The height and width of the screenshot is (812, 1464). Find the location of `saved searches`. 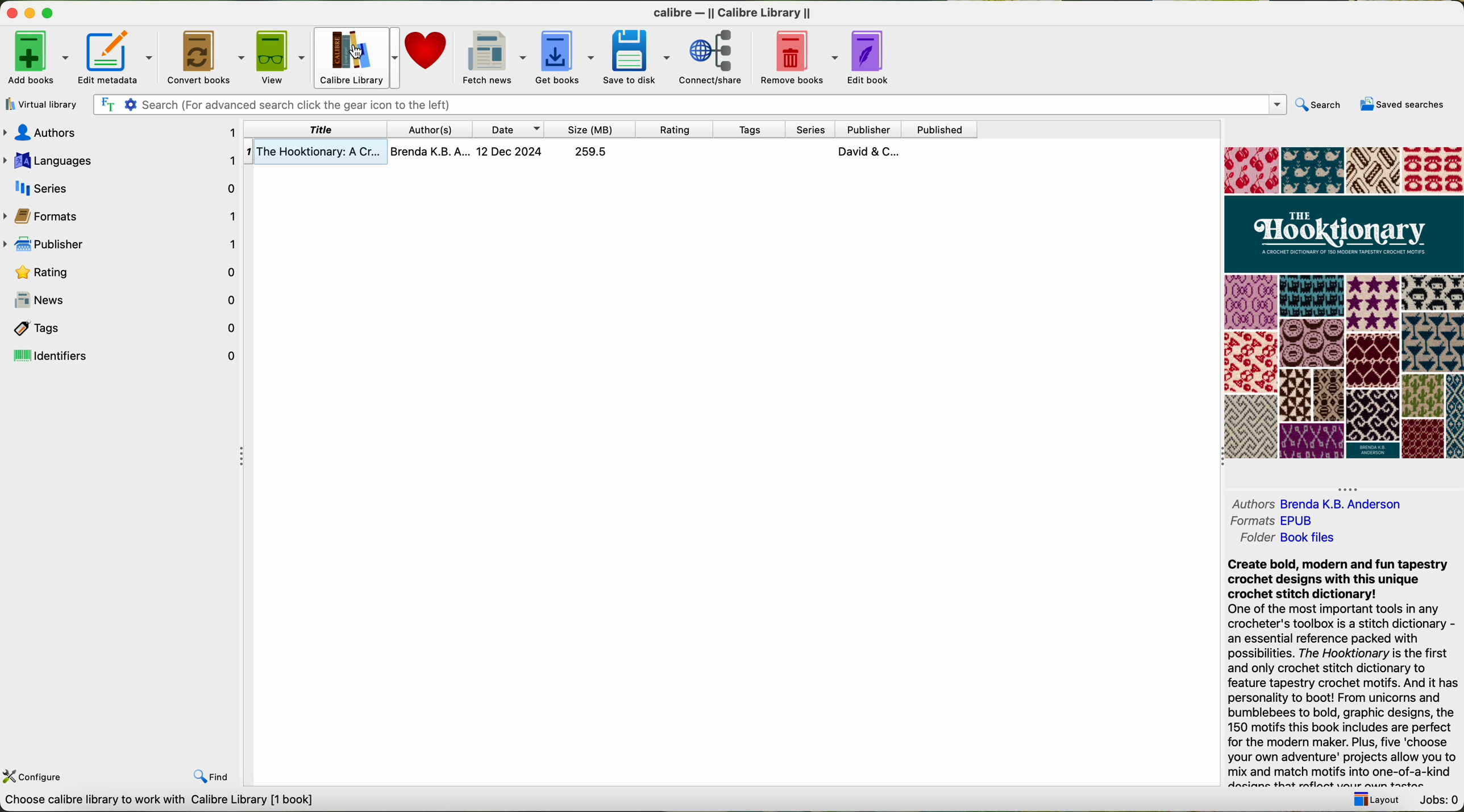

saved searches is located at coordinates (1401, 105).